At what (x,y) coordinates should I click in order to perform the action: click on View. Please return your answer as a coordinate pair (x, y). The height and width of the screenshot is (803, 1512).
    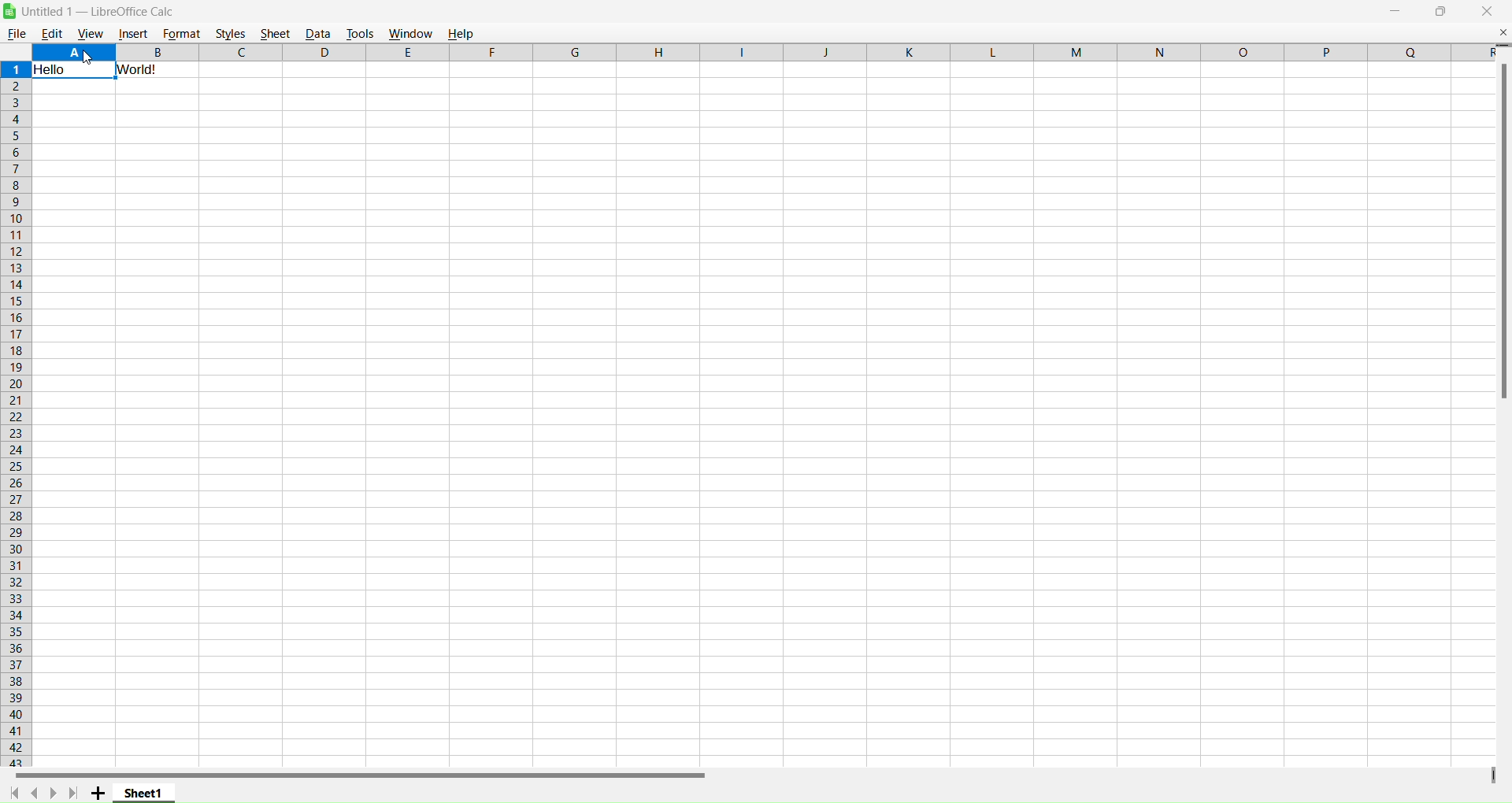
    Looking at the image, I should click on (90, 34).